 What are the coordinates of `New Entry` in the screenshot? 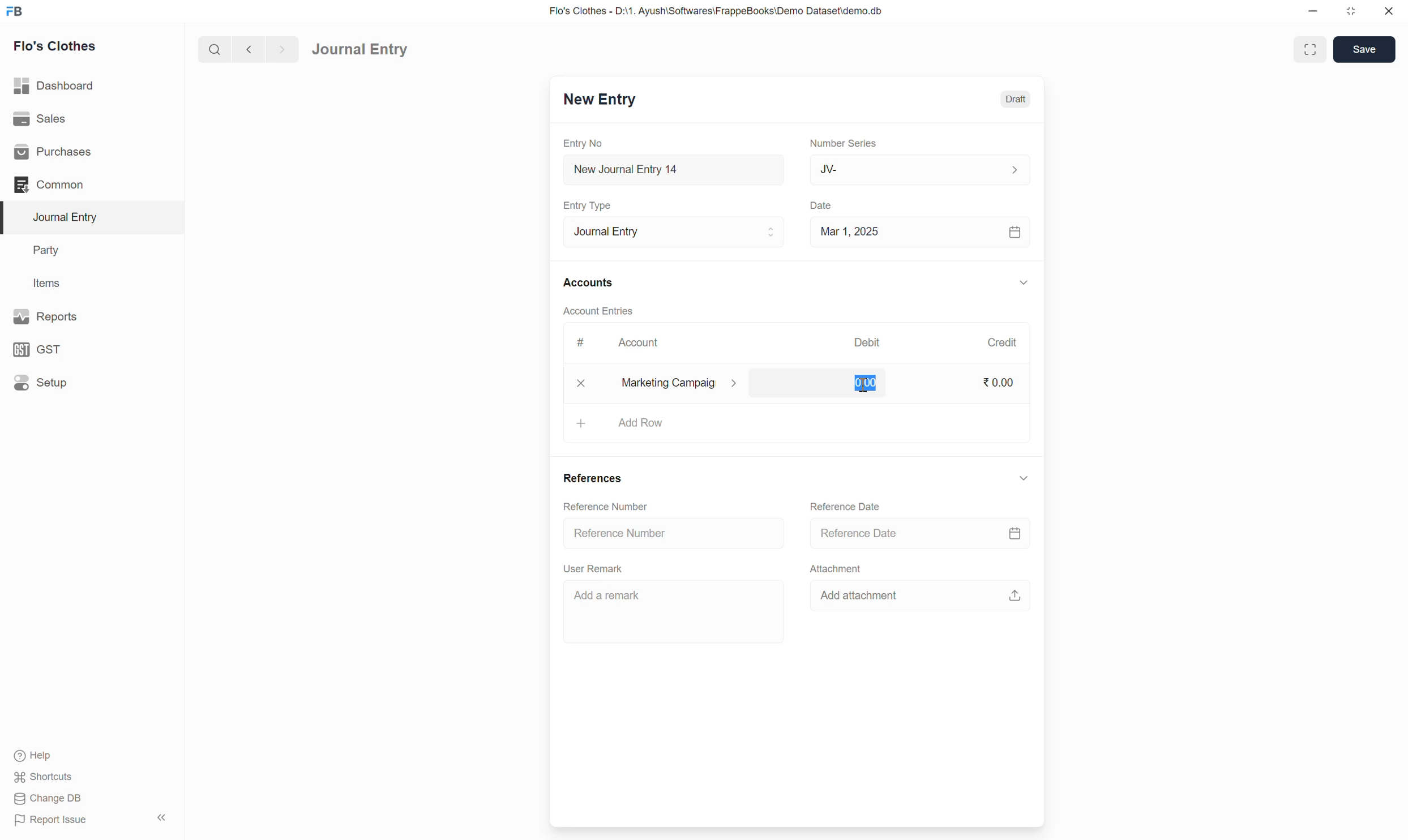 It's located at (600, 98).